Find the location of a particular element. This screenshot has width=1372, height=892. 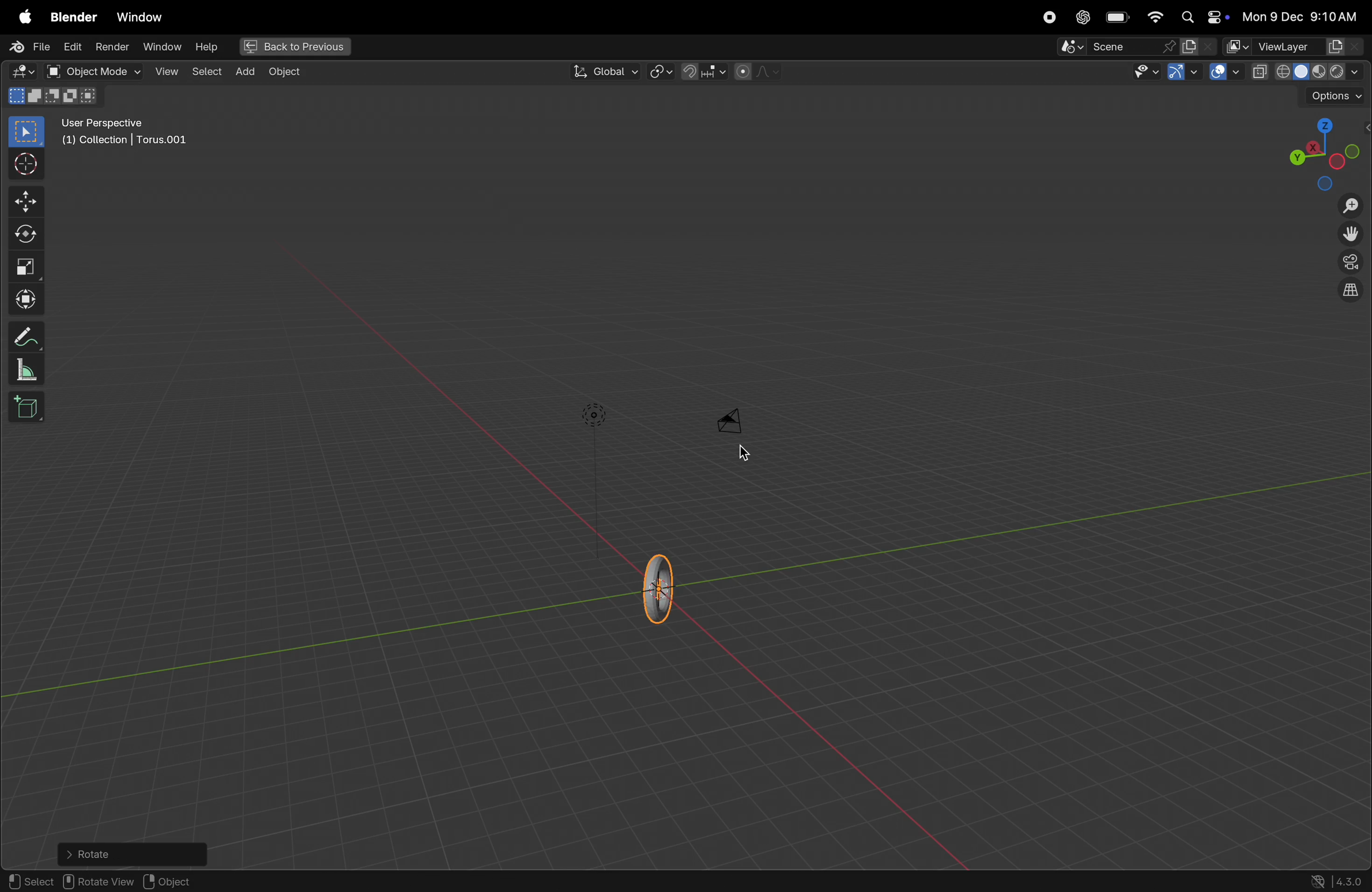

add cube is located at coordinates (29, 409).